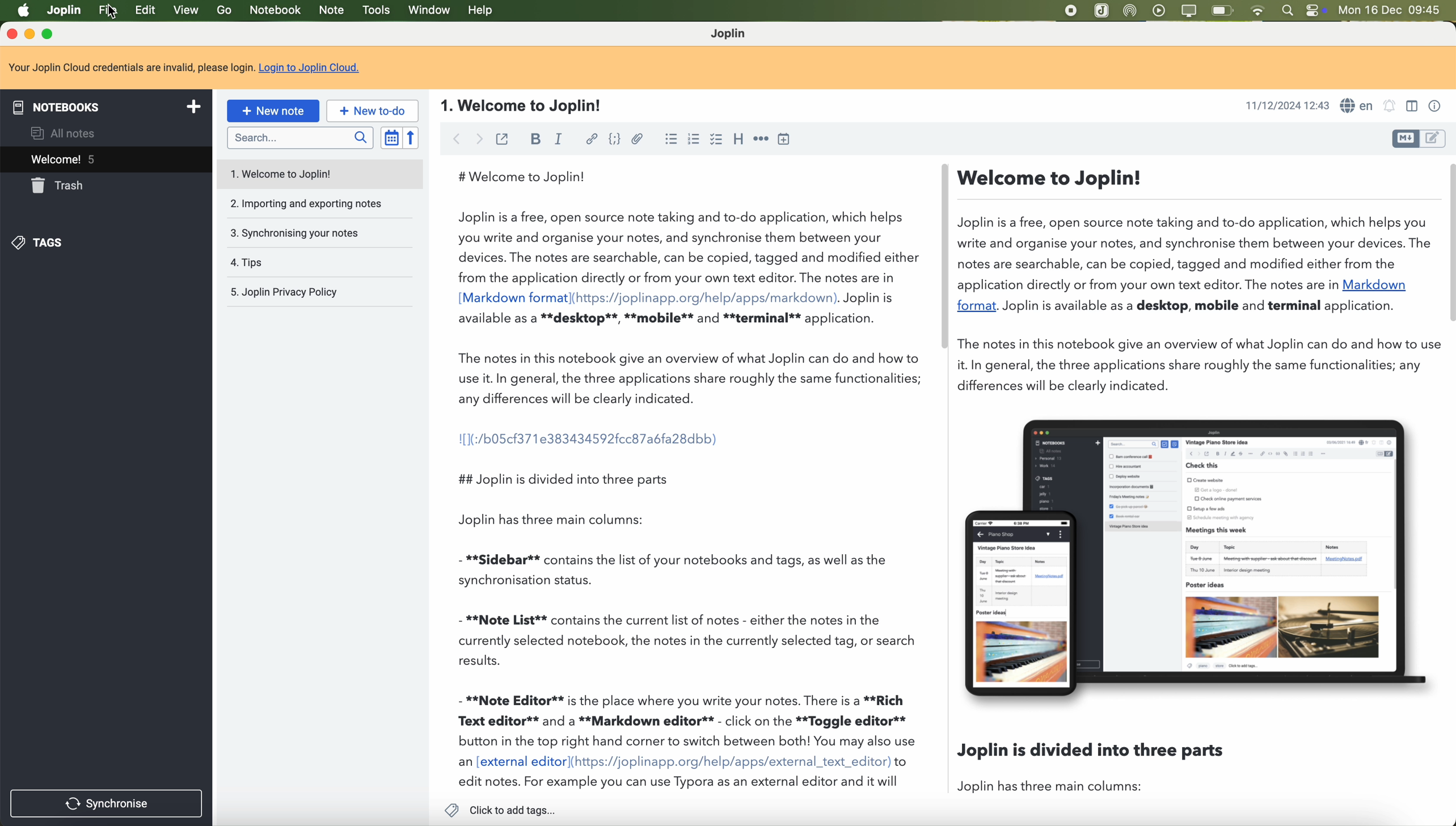 Image resolution: width=1456 pixels, height=826 pixels. What do you see at coordinates (1286, 106) in the screenshot?
I see `11/12/2024 12:43` at bounding box center [1286, 106].